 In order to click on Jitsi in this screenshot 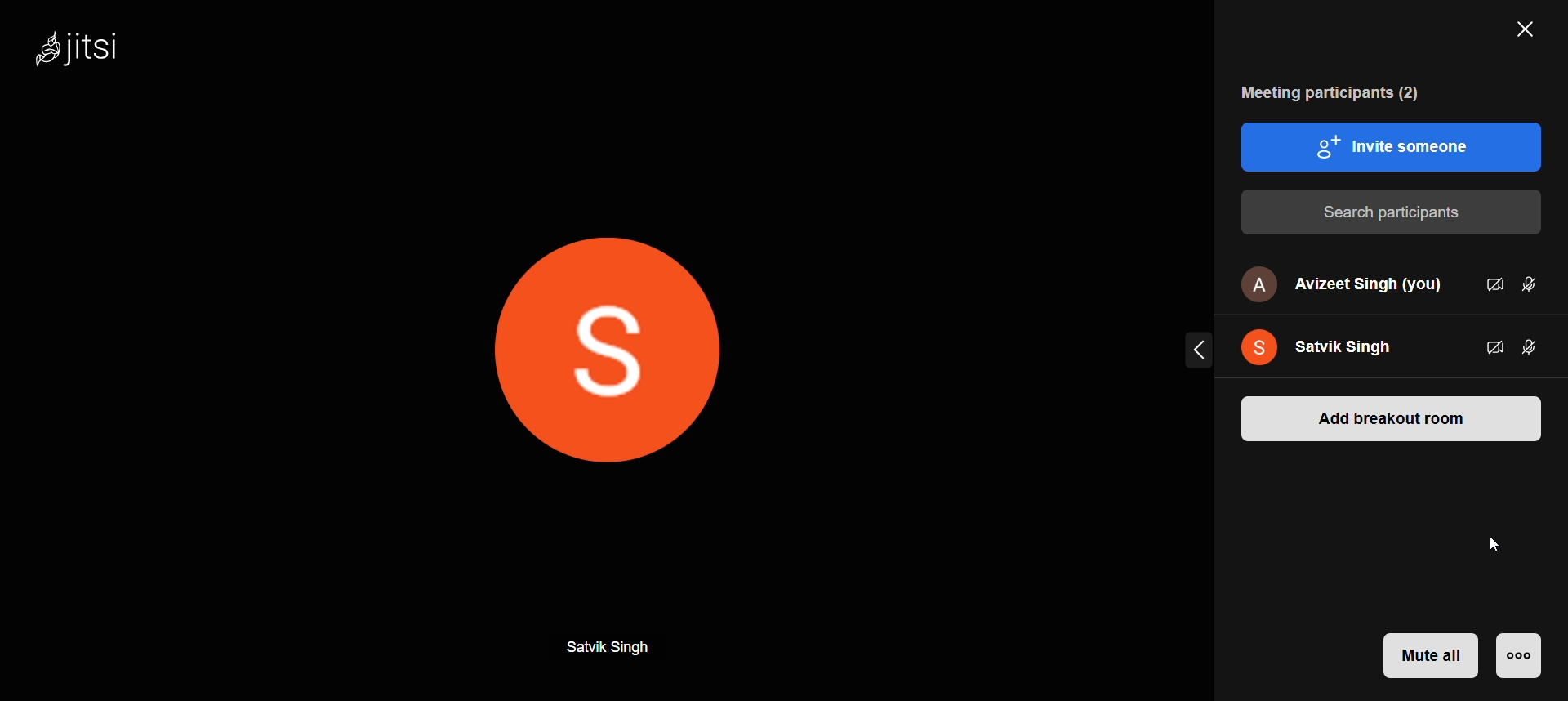, I will do `click(100, 55)`.